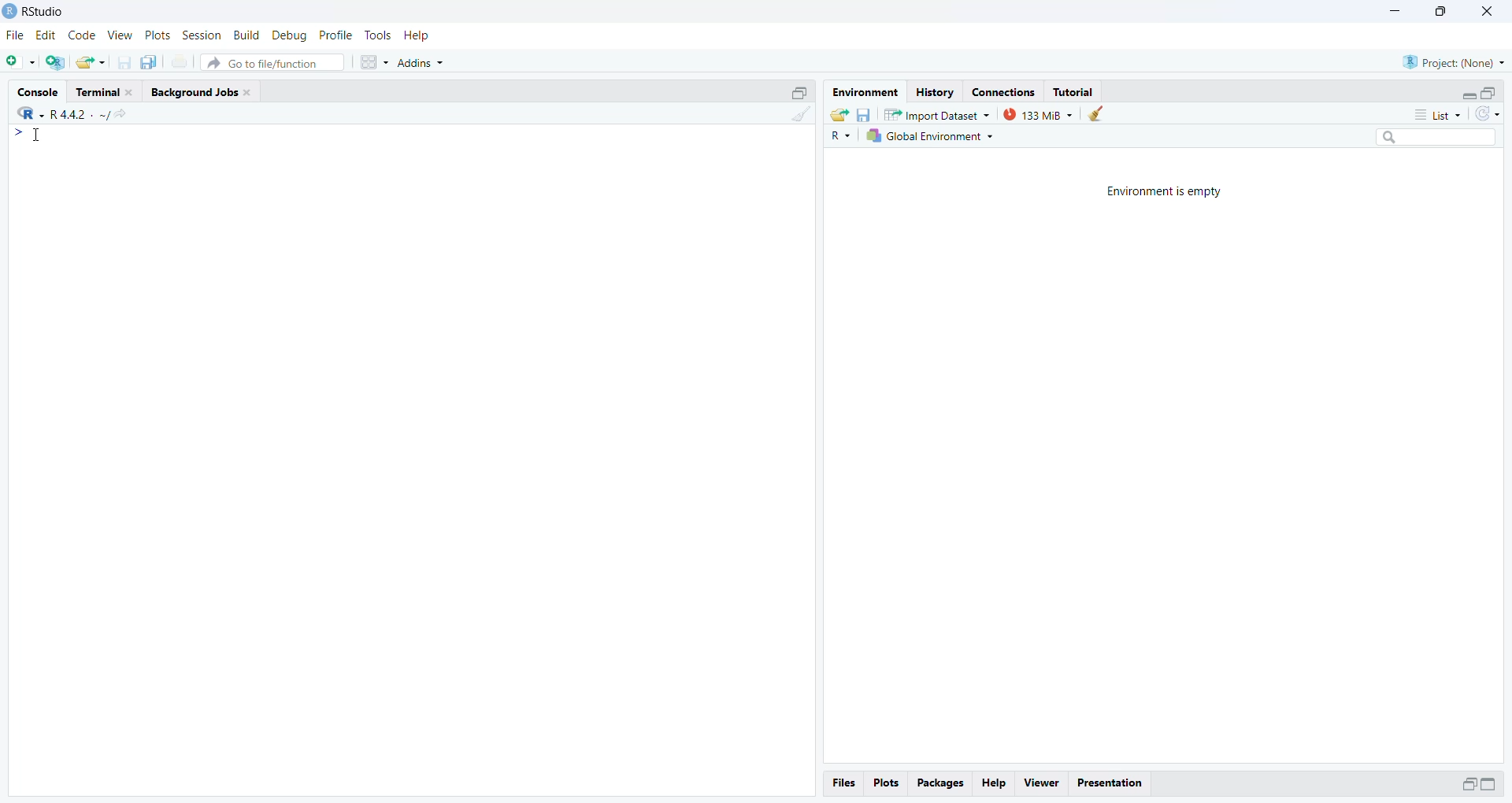 This screenshot has height=803, width=1512. What do you see at coordinates (30, 9) in the screenshot?
I see `Rstudio` at bounding box center [30, 9].